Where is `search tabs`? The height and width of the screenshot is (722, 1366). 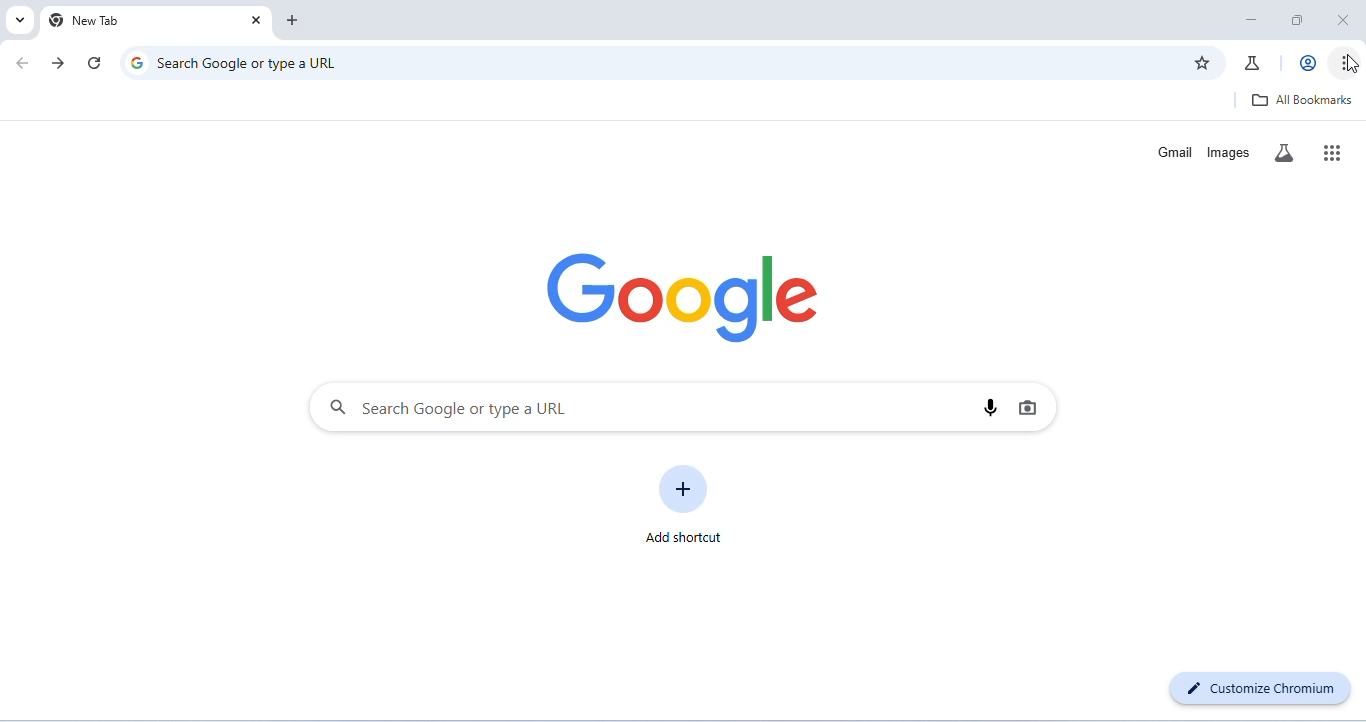
search tabs is located at coordinates (20, 21).